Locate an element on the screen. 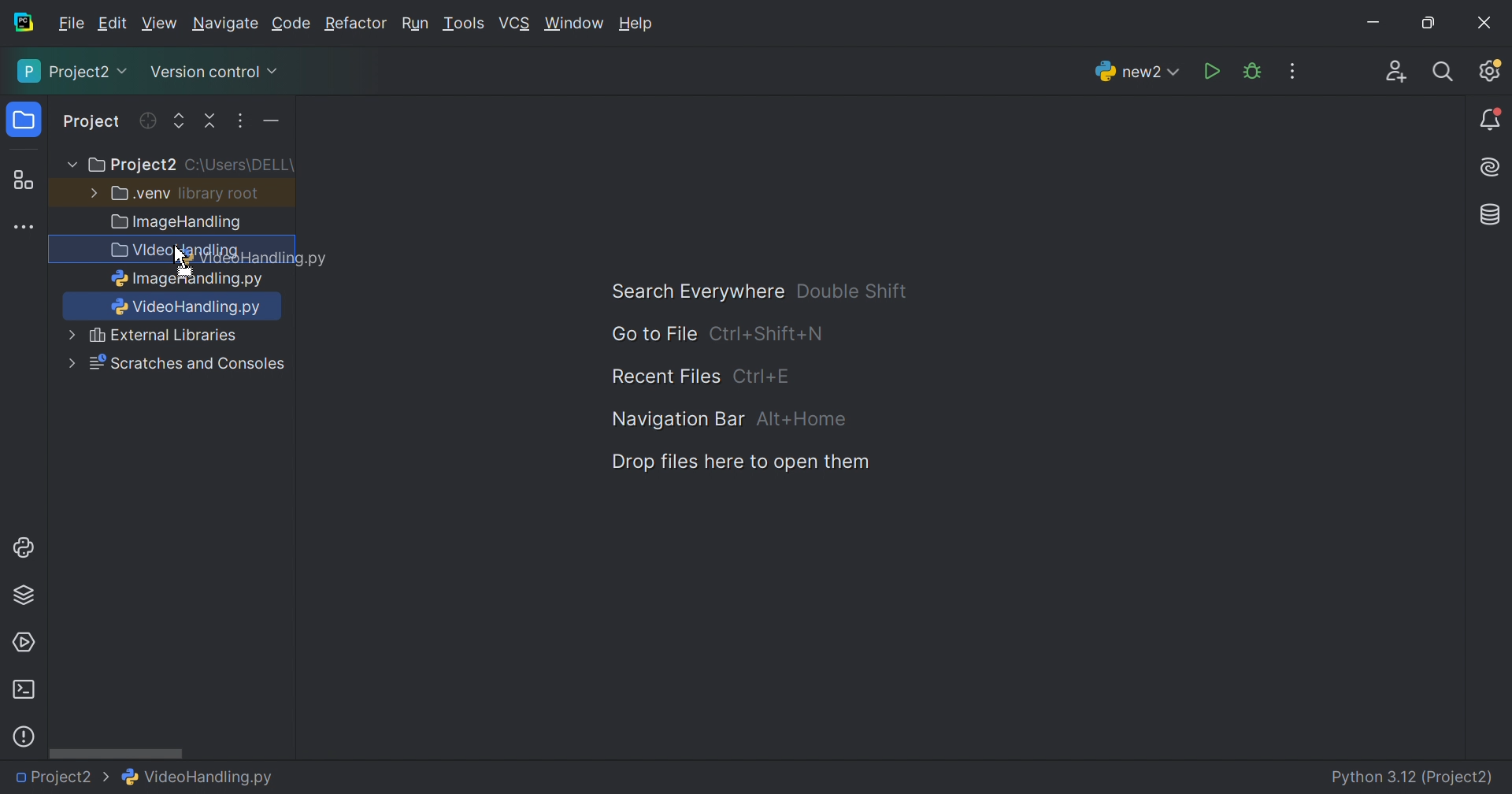  Navigation Bar is located at coordinates (675, 418).